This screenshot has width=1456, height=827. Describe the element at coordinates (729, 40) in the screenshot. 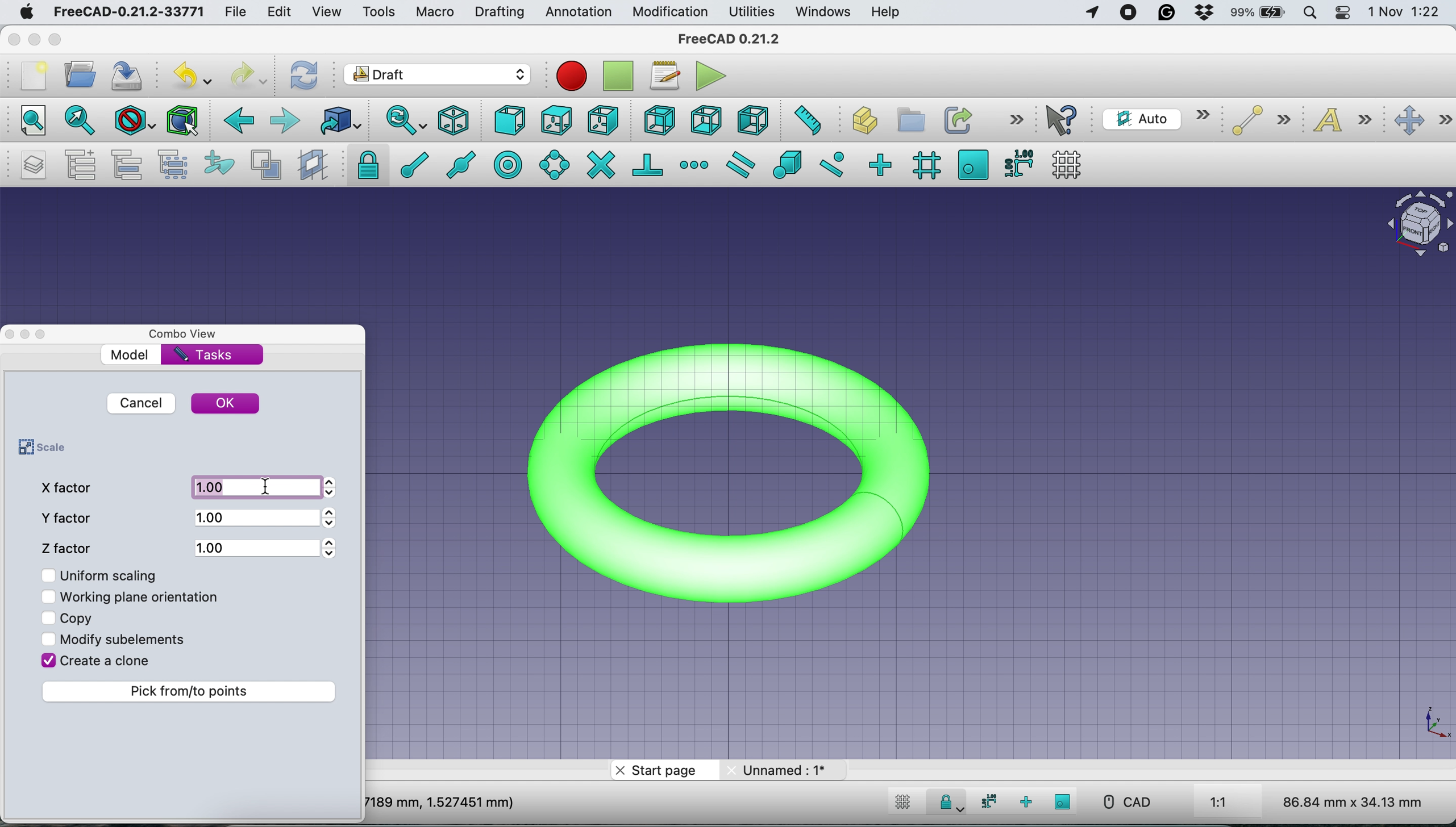

I see `freeCAD 0.21.2` at that location.